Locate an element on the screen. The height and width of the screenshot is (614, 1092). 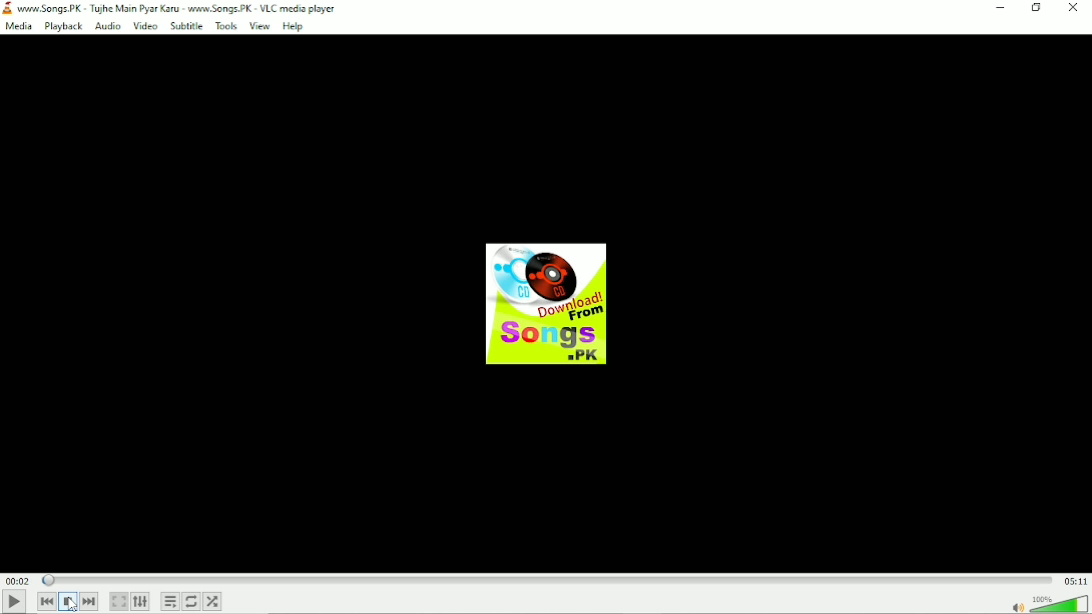
Help is located at coordinates (295, 27).